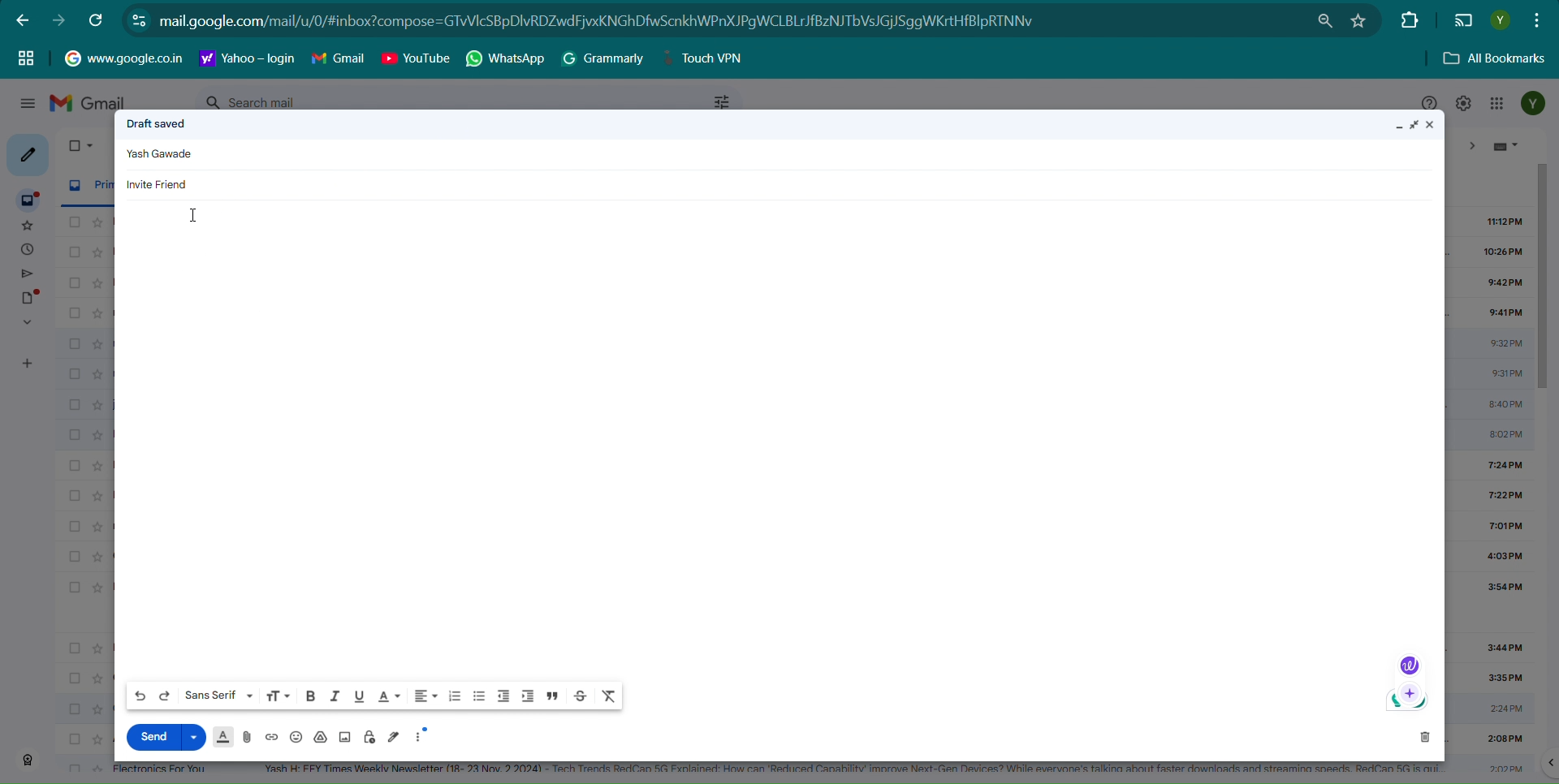  Describe the element at coordinates (1358, 20) in the screenshot. I see `Bookmark this tab` at that location.